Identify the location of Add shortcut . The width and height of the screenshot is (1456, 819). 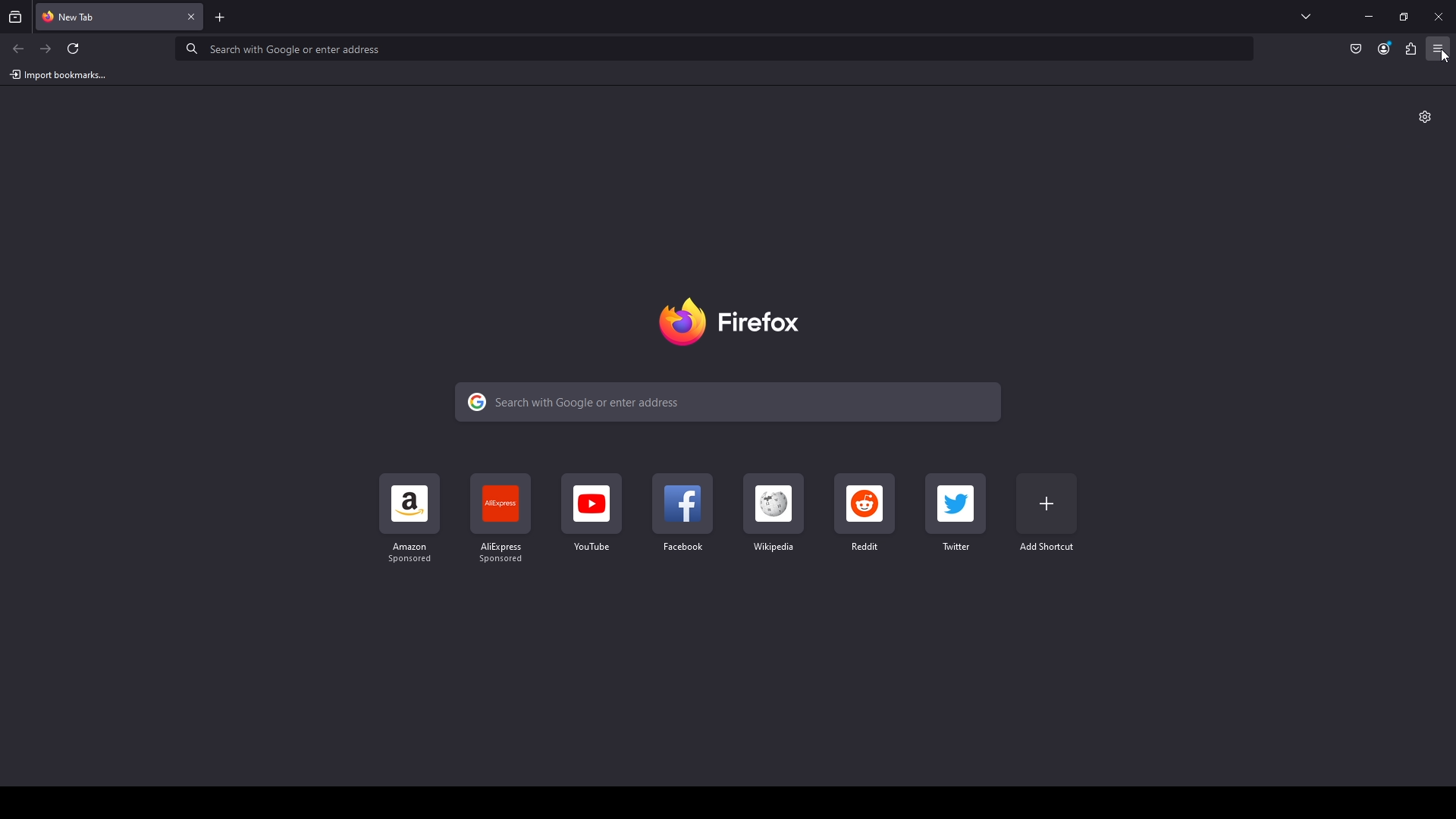
(1047, 513).